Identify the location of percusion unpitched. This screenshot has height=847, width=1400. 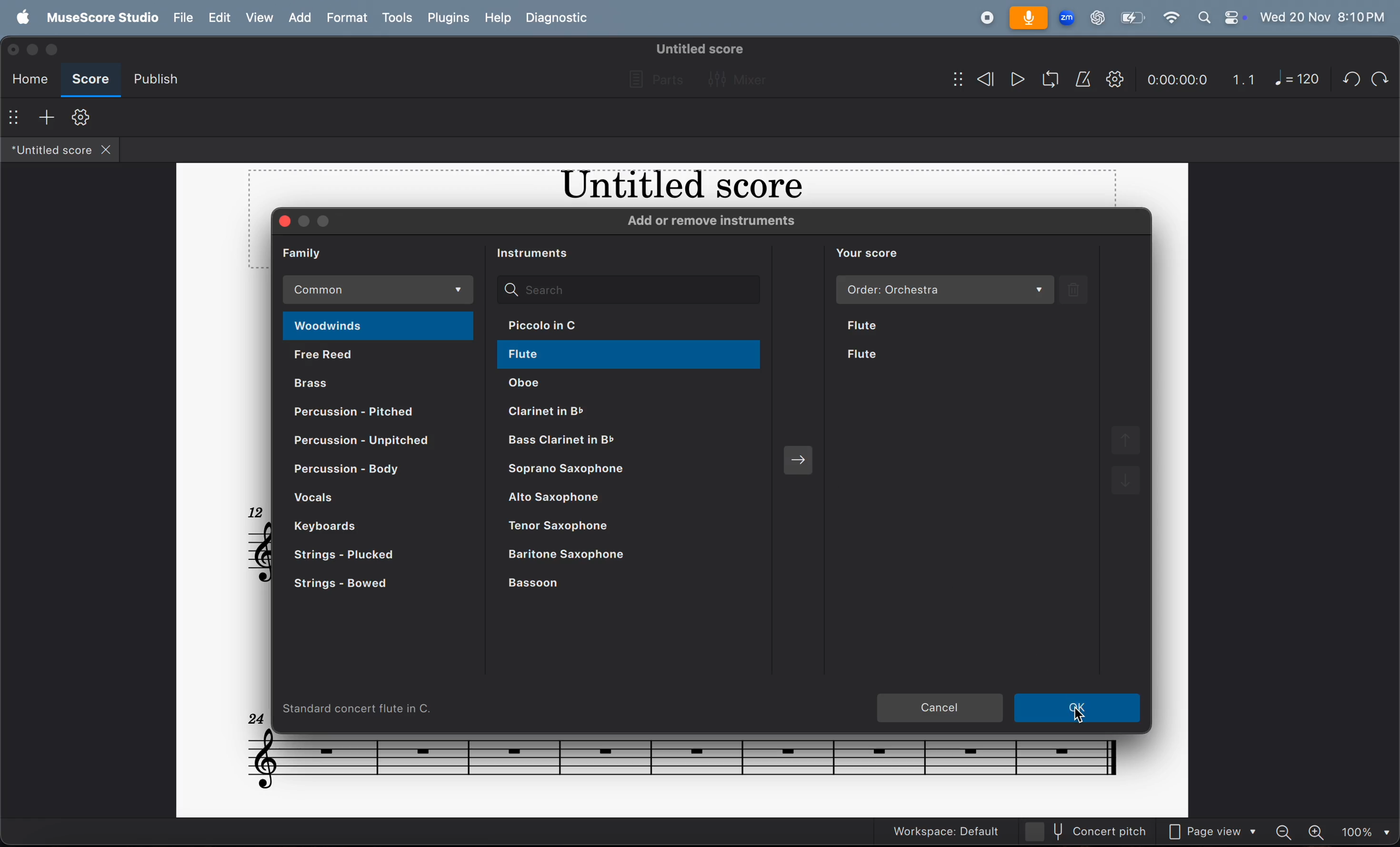
(376, 443).